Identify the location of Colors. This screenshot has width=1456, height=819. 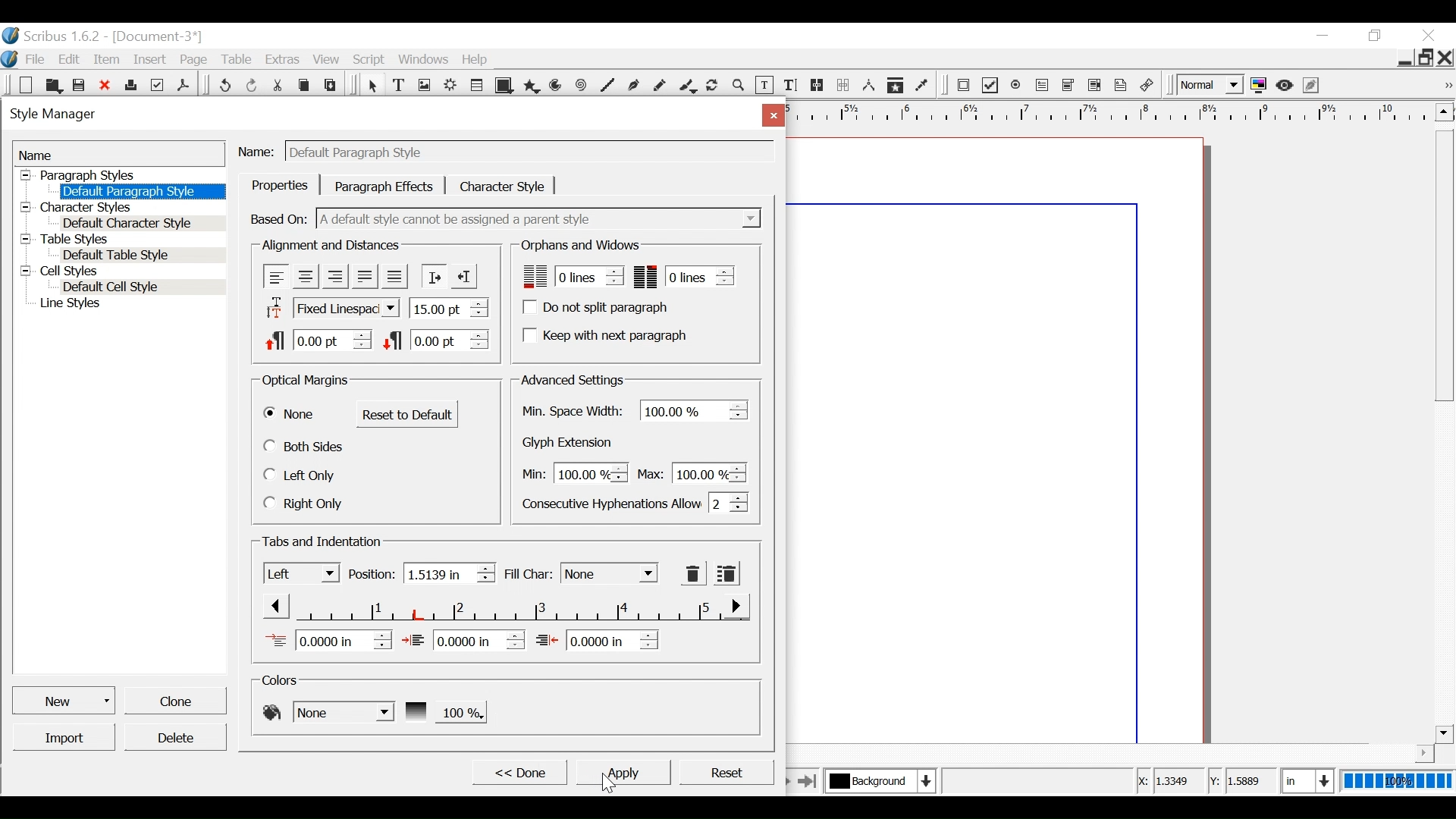
(284, 680).